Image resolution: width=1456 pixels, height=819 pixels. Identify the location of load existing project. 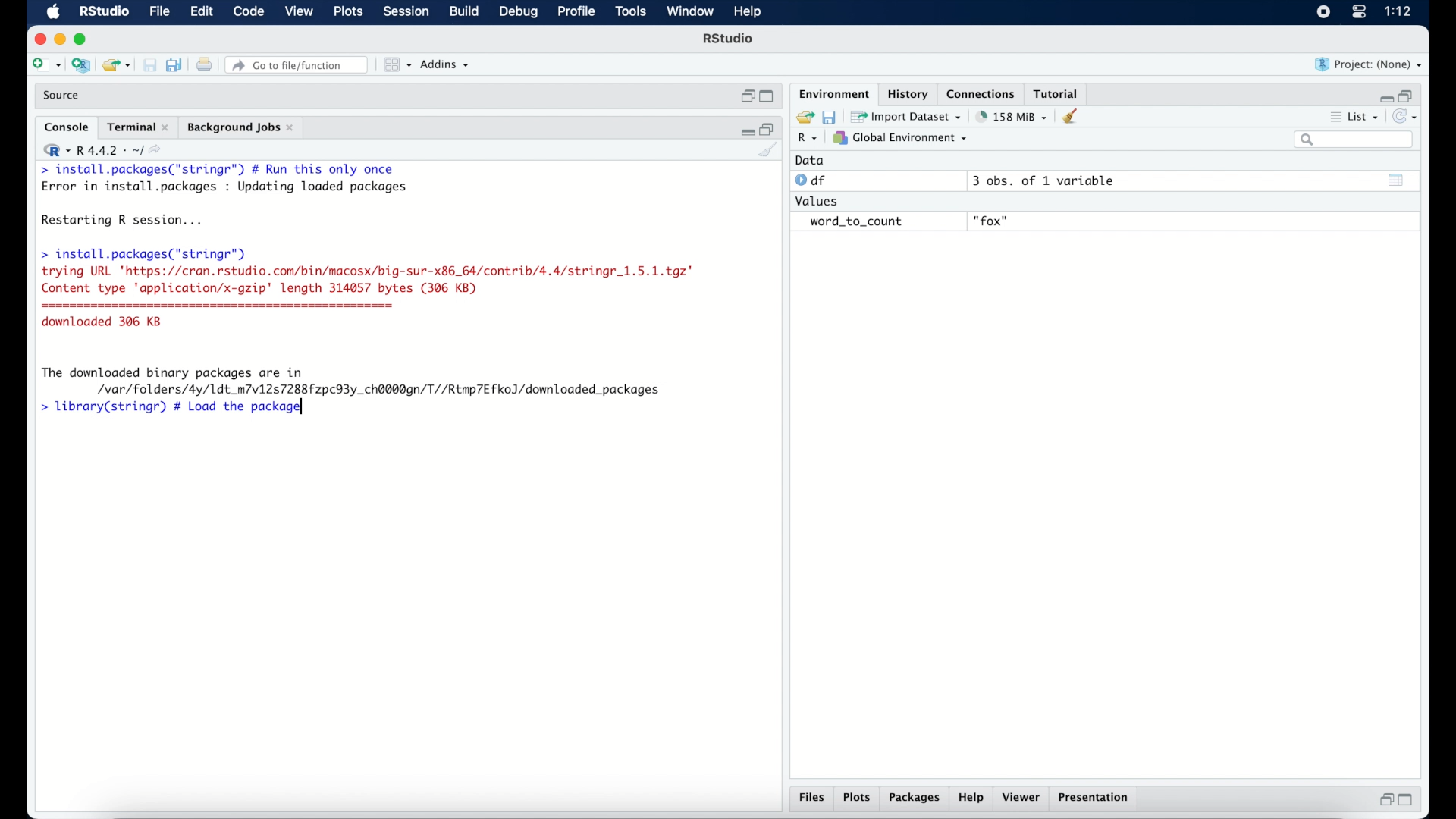
(119, 66).